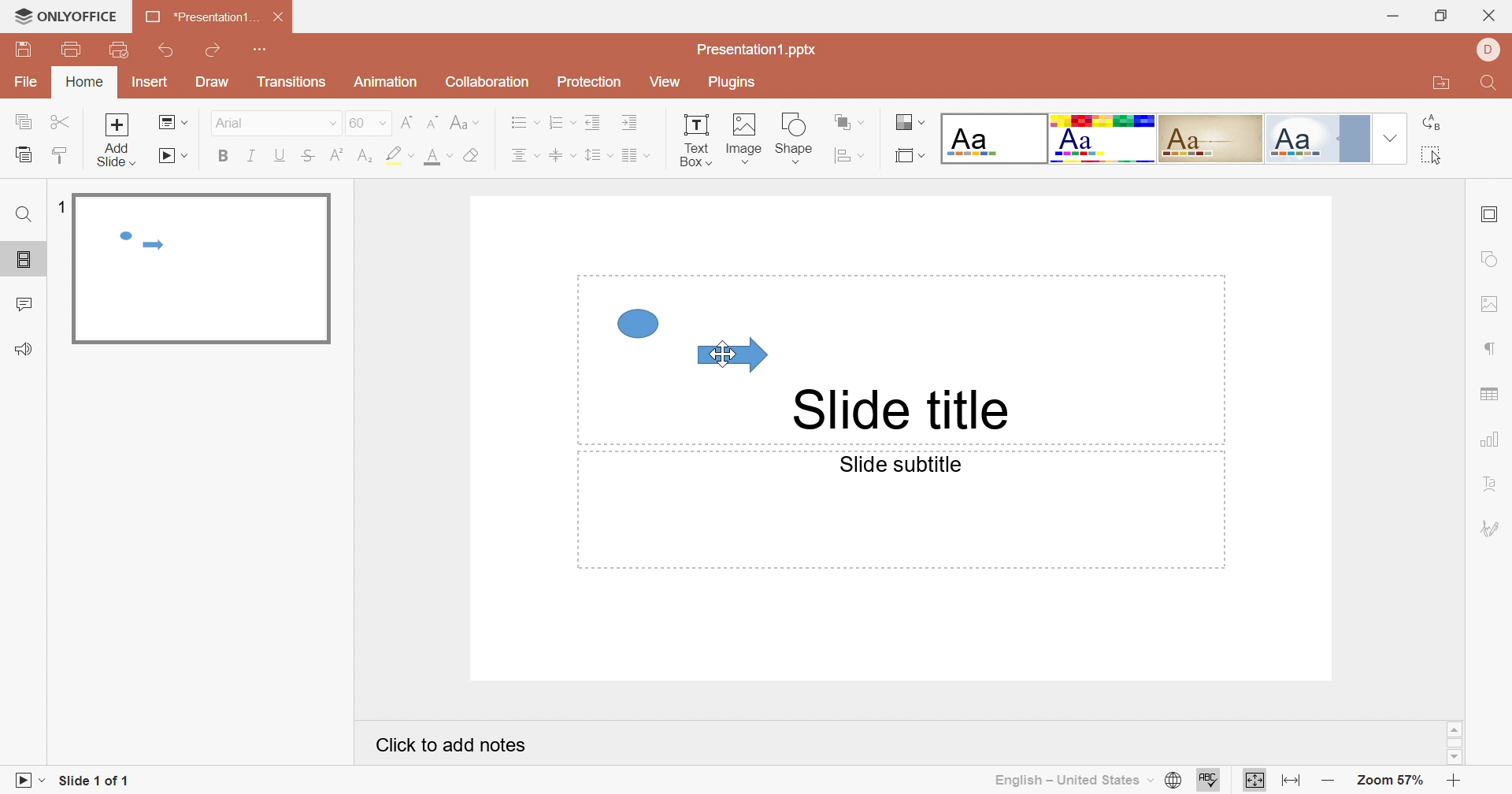 Image resolution: width=1512 pixels, height=794 pixels. What do you see at coordinates (1388, 137) in the screenshot?
I see `Drop Down` at bounding box center [1388, 137].